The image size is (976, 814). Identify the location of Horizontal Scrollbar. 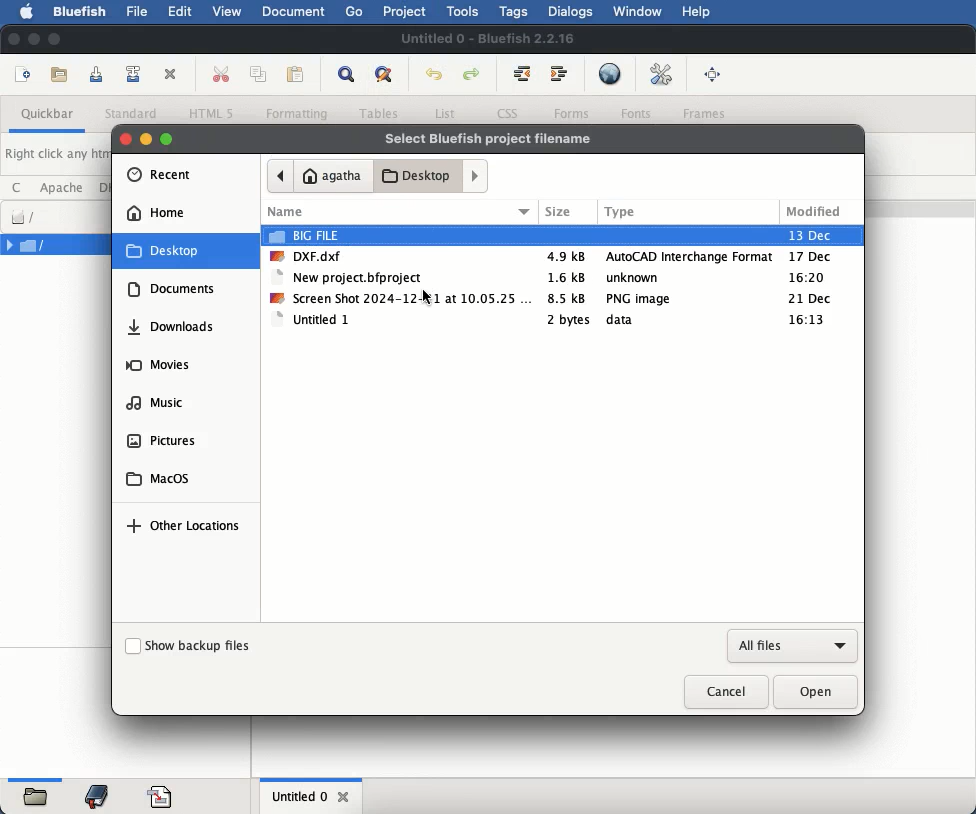
(36, 777).